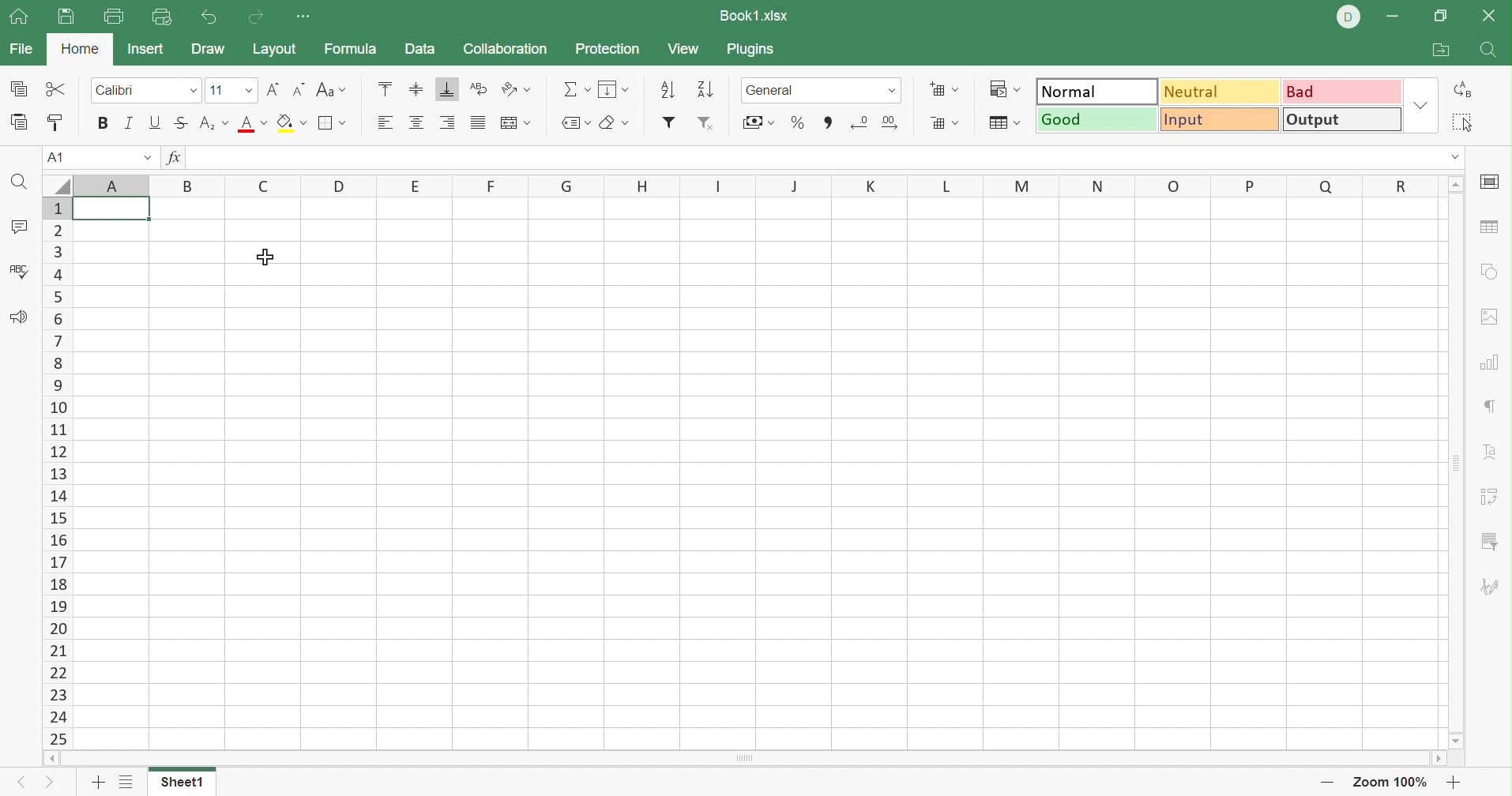 Image resolution: width=1512 pixels, height=796 pixels. I want to click on Good, so click(1097, 121).